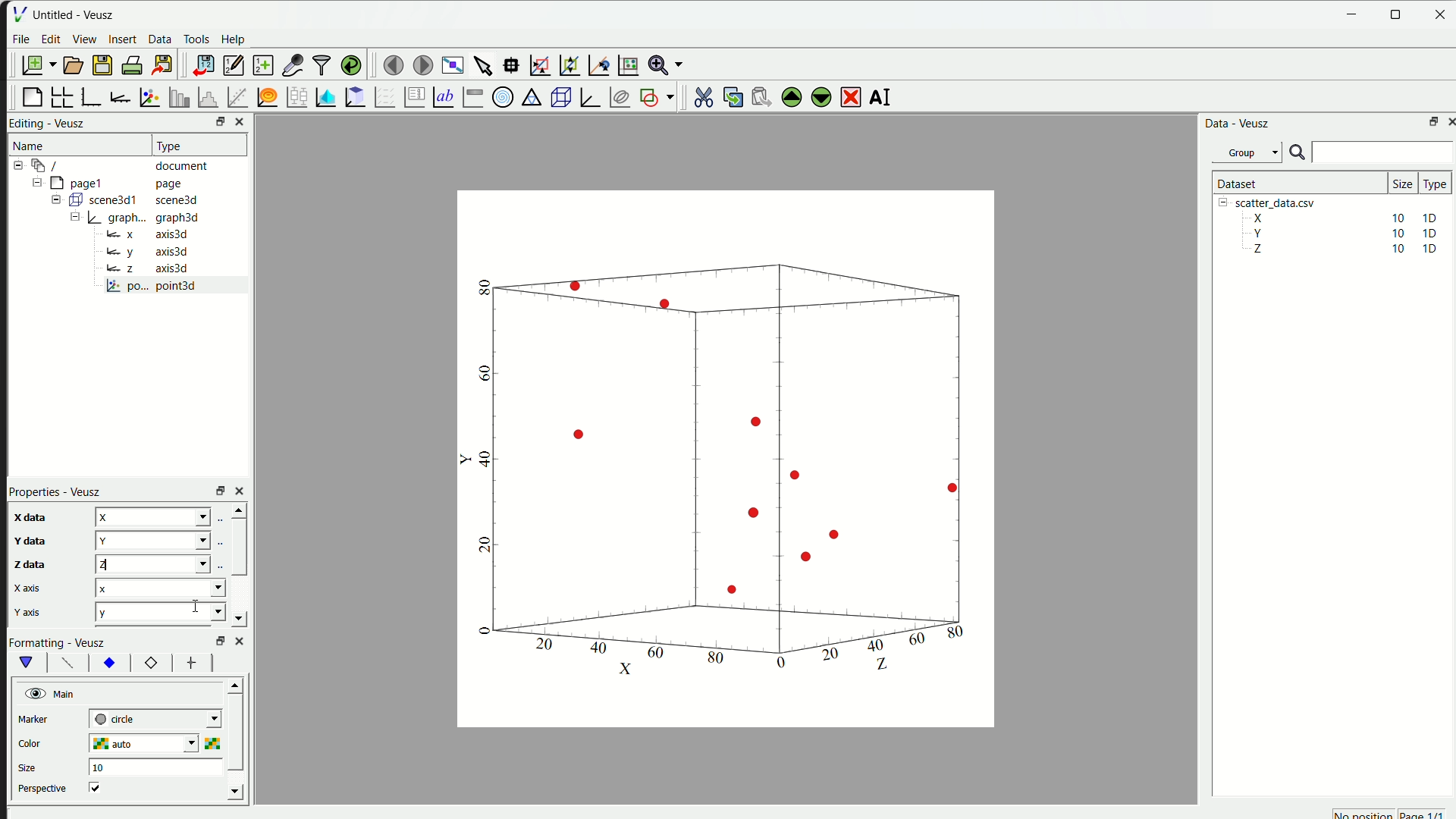  I want to click on = x axis3d, so click(155, 234).